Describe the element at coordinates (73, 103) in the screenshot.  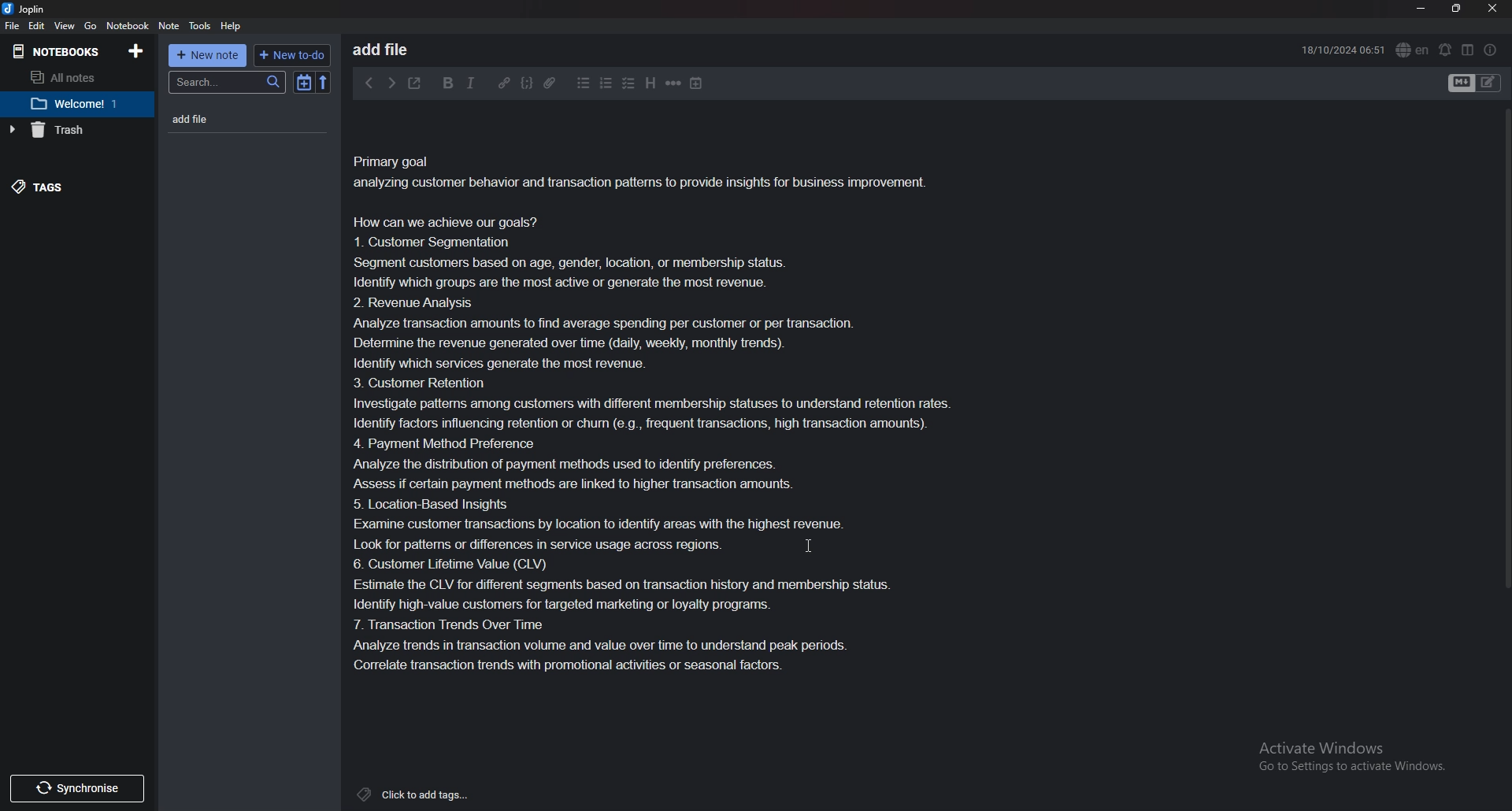
I see `Notebook` at that location.